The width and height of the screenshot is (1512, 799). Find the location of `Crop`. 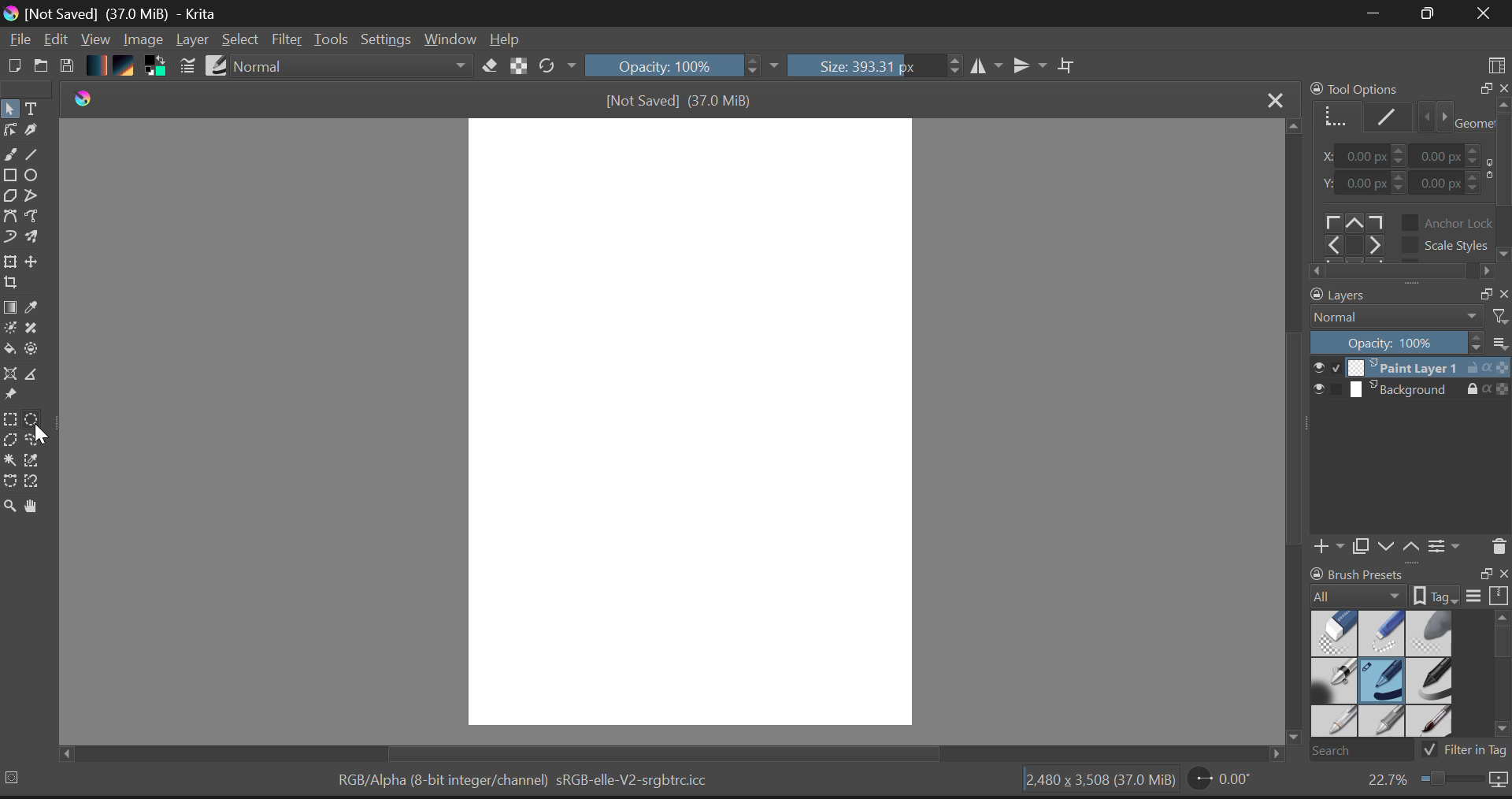

Crop is located at coordinates (9, 287).